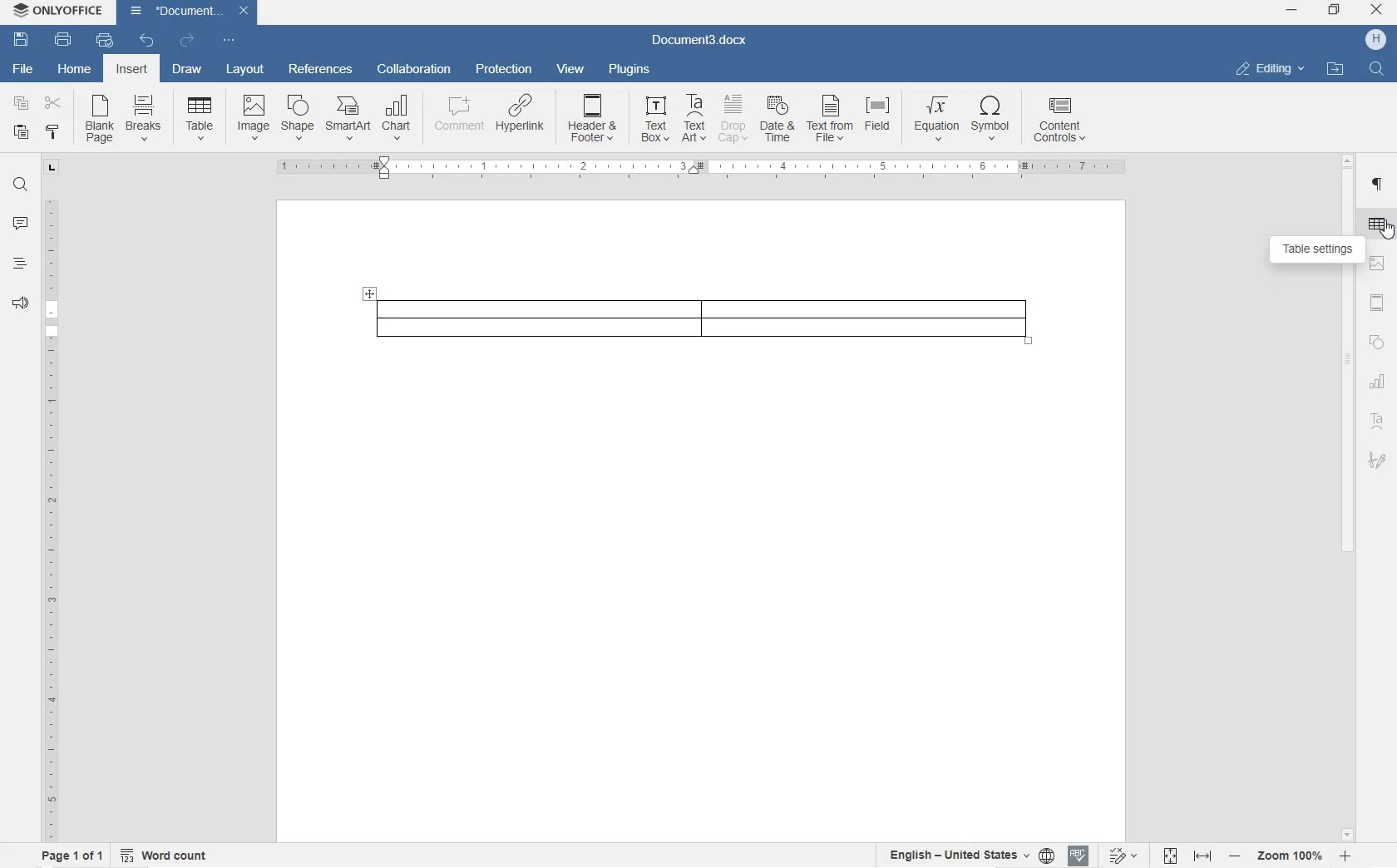 The image size is (1397, 868). I want to click on cursor, so click(1389, 235).